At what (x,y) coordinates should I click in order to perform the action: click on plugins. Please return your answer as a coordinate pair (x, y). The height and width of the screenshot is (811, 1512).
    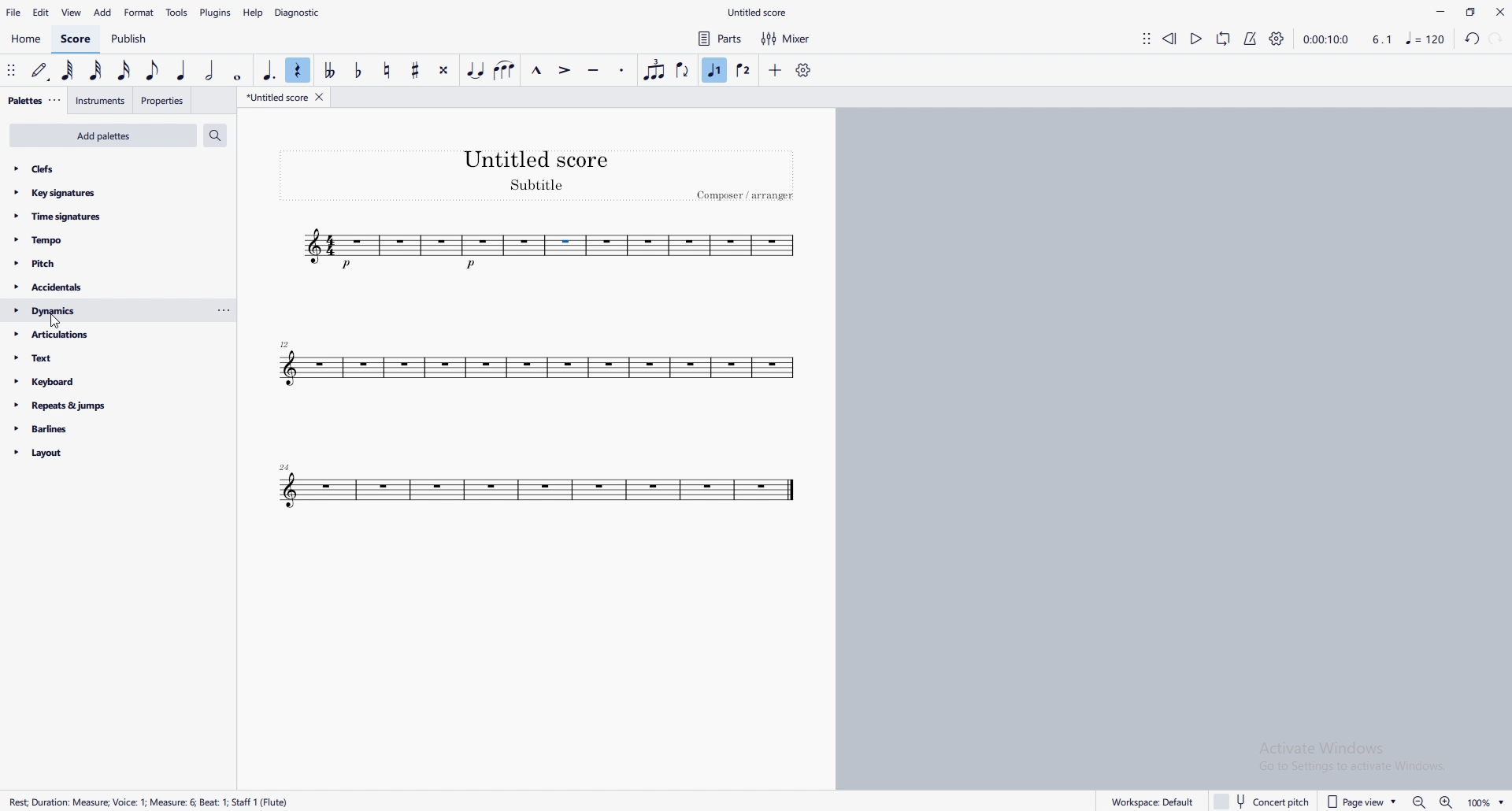
    Looking at the image, I should click on (215, 12).